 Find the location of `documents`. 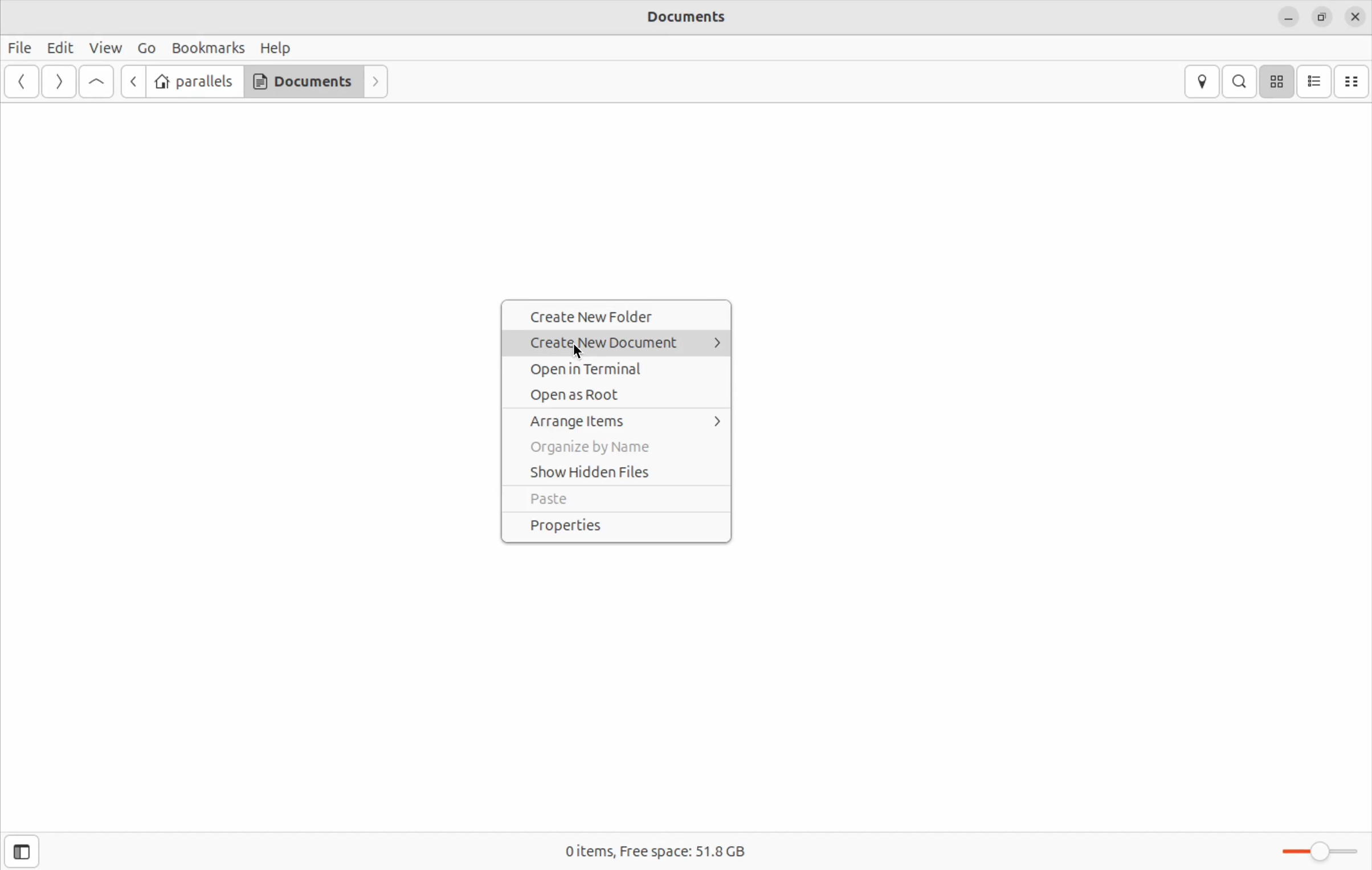

documents is located at coordinates (303, 81).